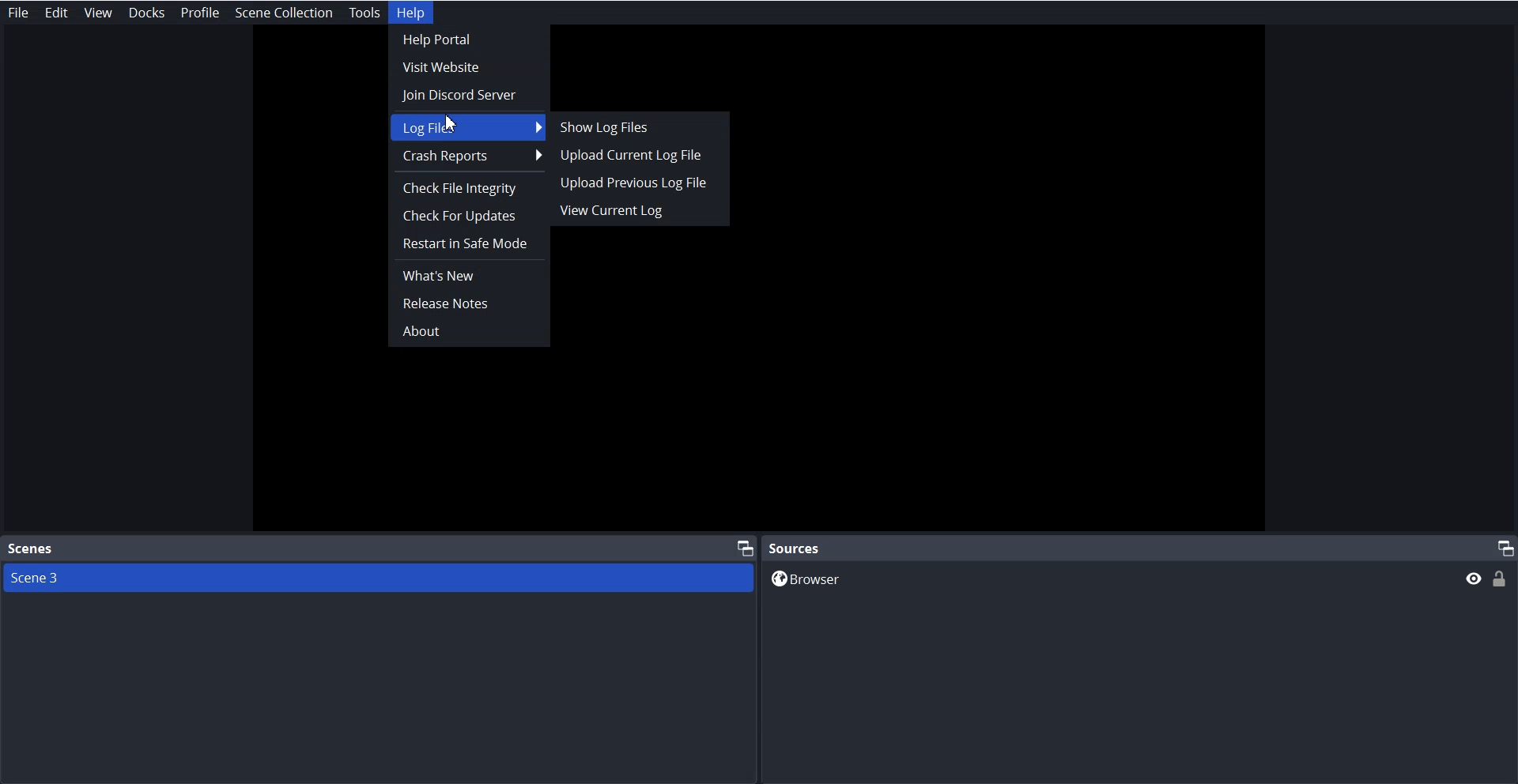 Image resolution: width=1518 pixels, height=784 pixels. What do you see at coordinates (145, 13) in the screenshot?
I see `Docks` at bounding box center [145, 13].